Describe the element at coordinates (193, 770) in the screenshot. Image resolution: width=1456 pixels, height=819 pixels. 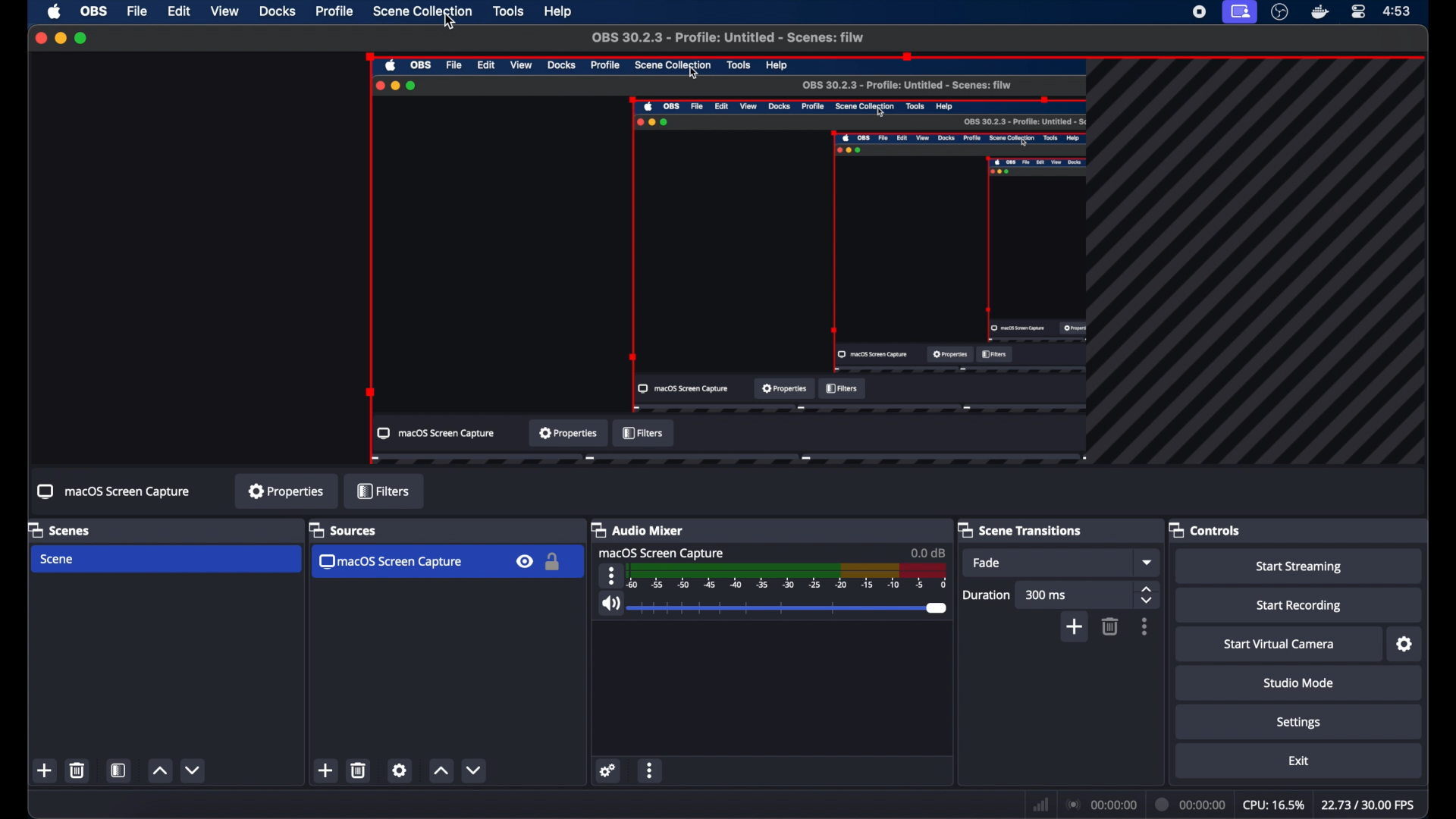
I see `decrement` at that location.